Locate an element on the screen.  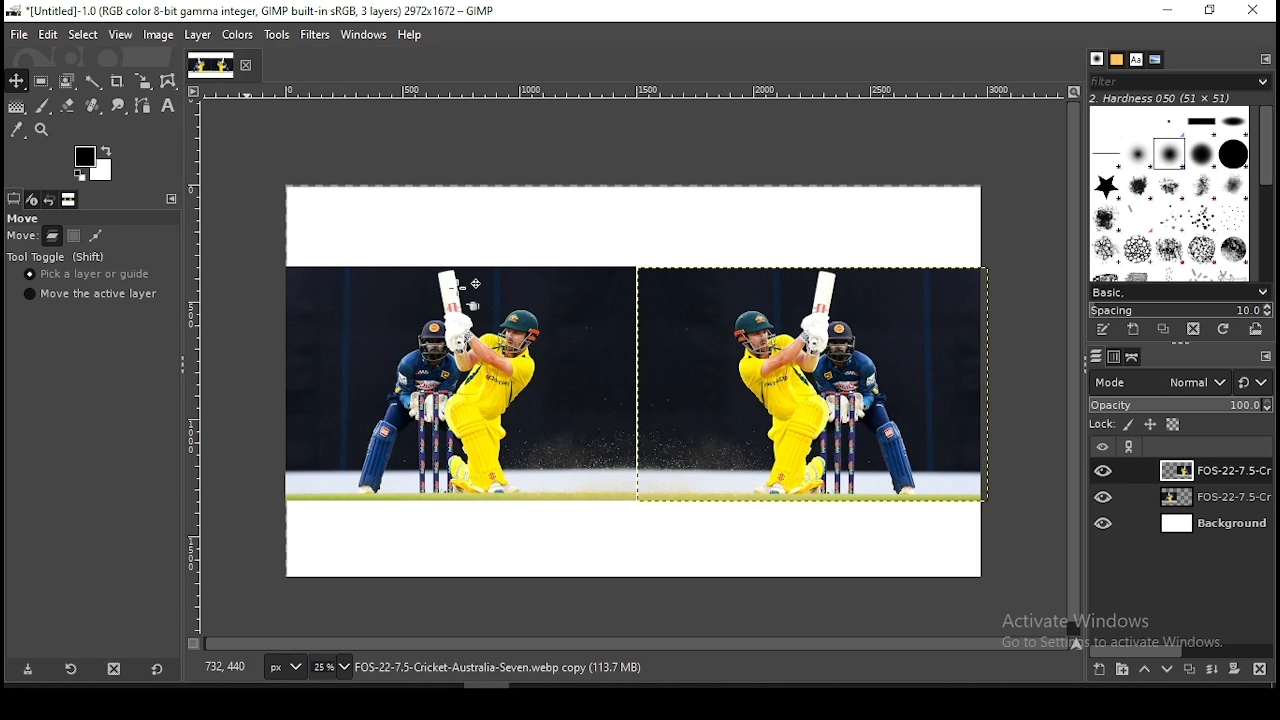
brushes is located at coordinates (1097, 59).